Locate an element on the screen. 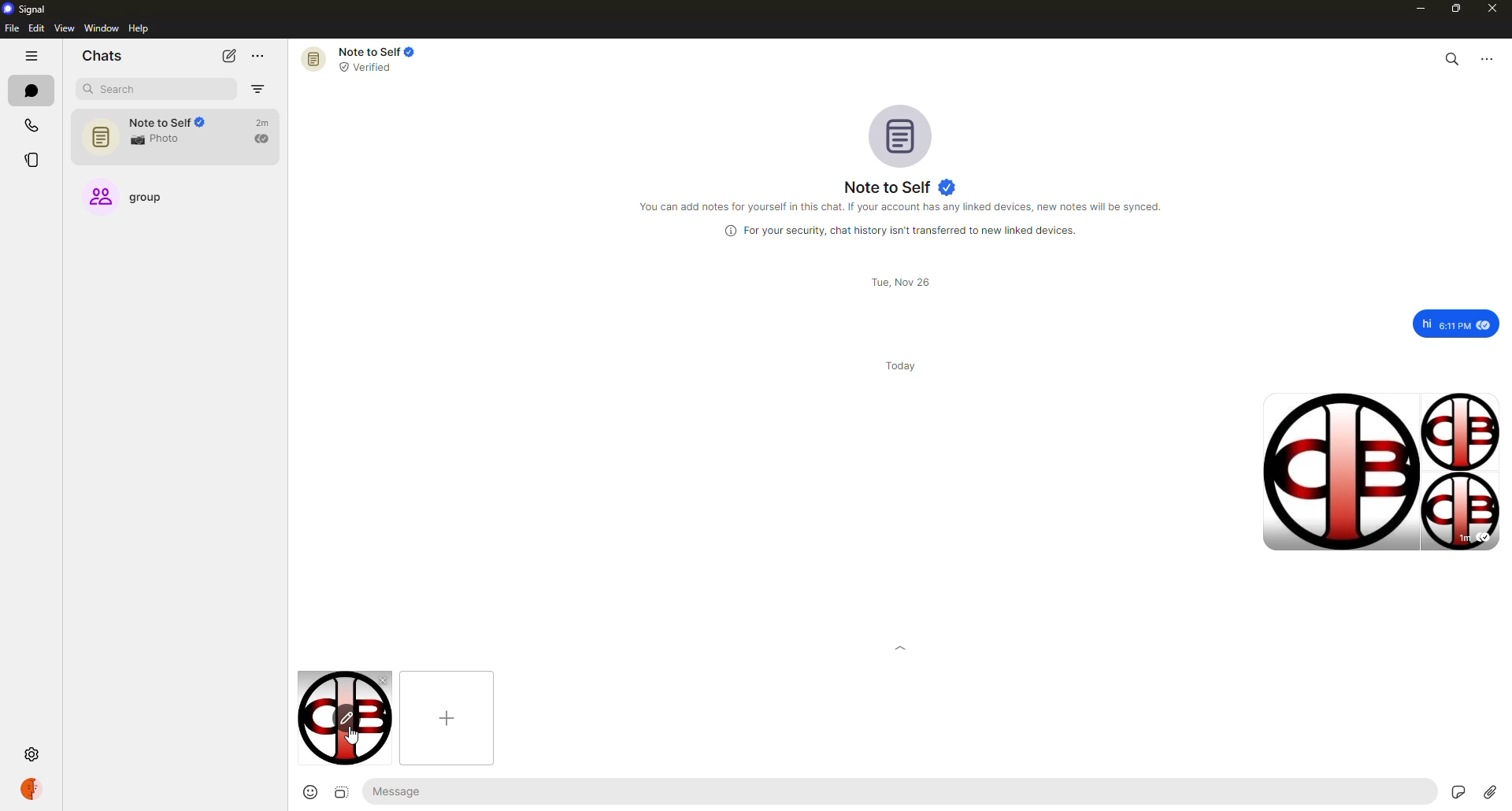  search is located at coordinates (1451, 58).